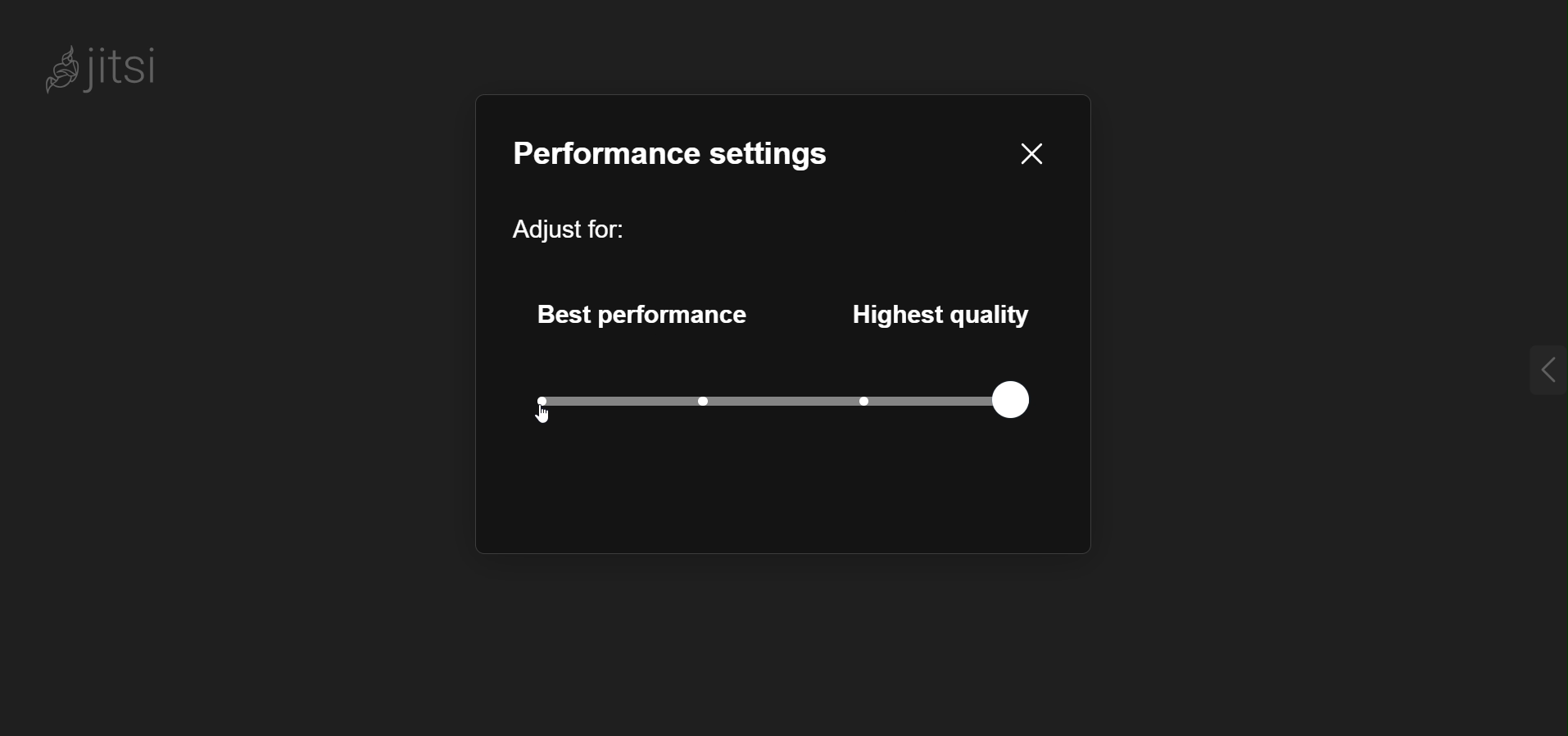 The width and height of the screenshot is (1568, 736). What do you see at coordinates (116, 70) in the screenshot?
I see `jitsi` at bounding box center [116, 70].